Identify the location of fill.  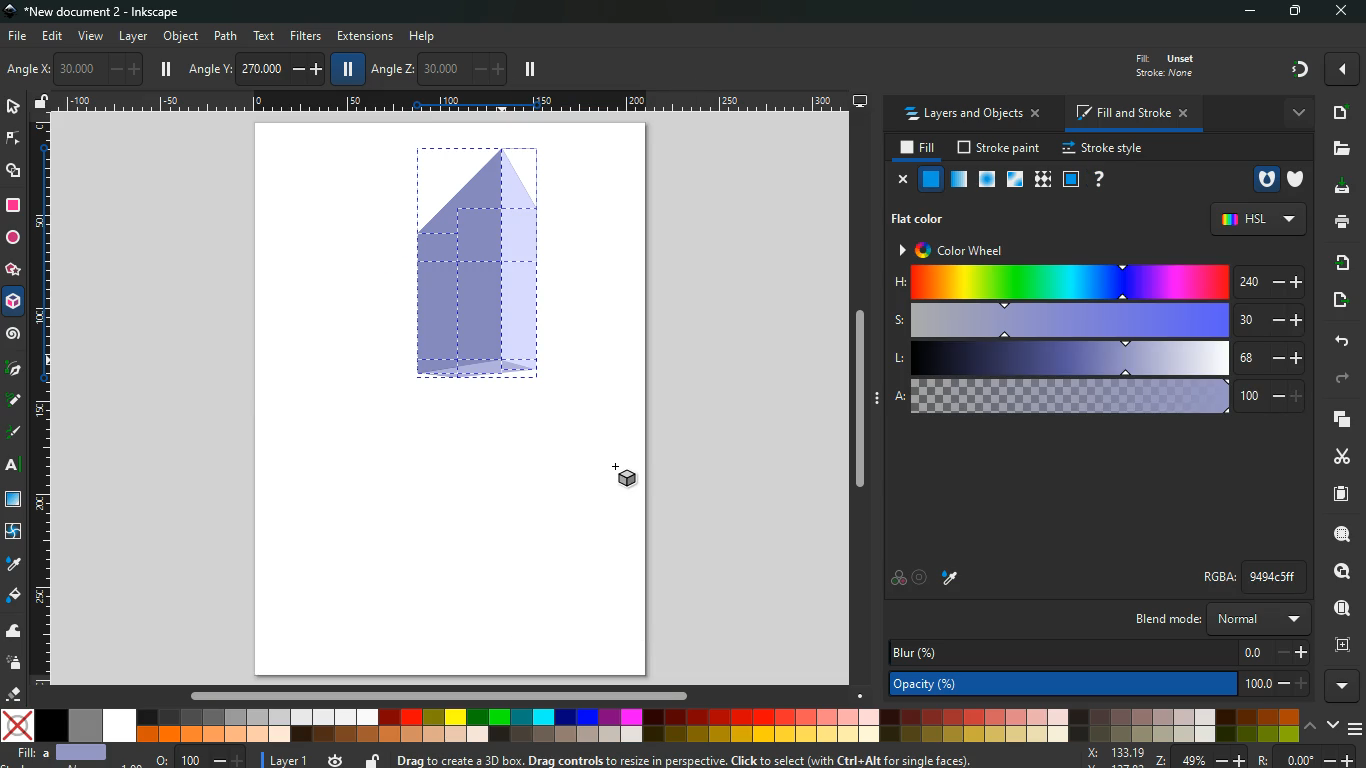
(1162, 64).